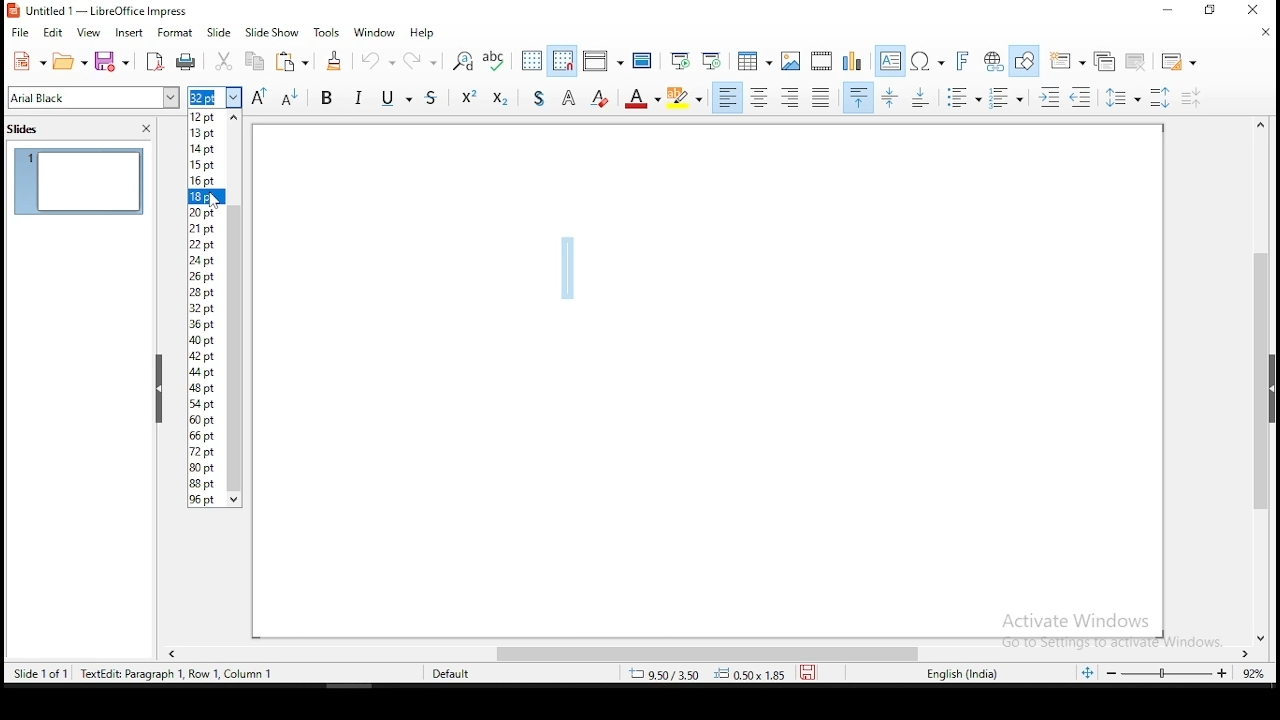 The image size is (1280, 720). I want to click on redo, so click(419, 58).